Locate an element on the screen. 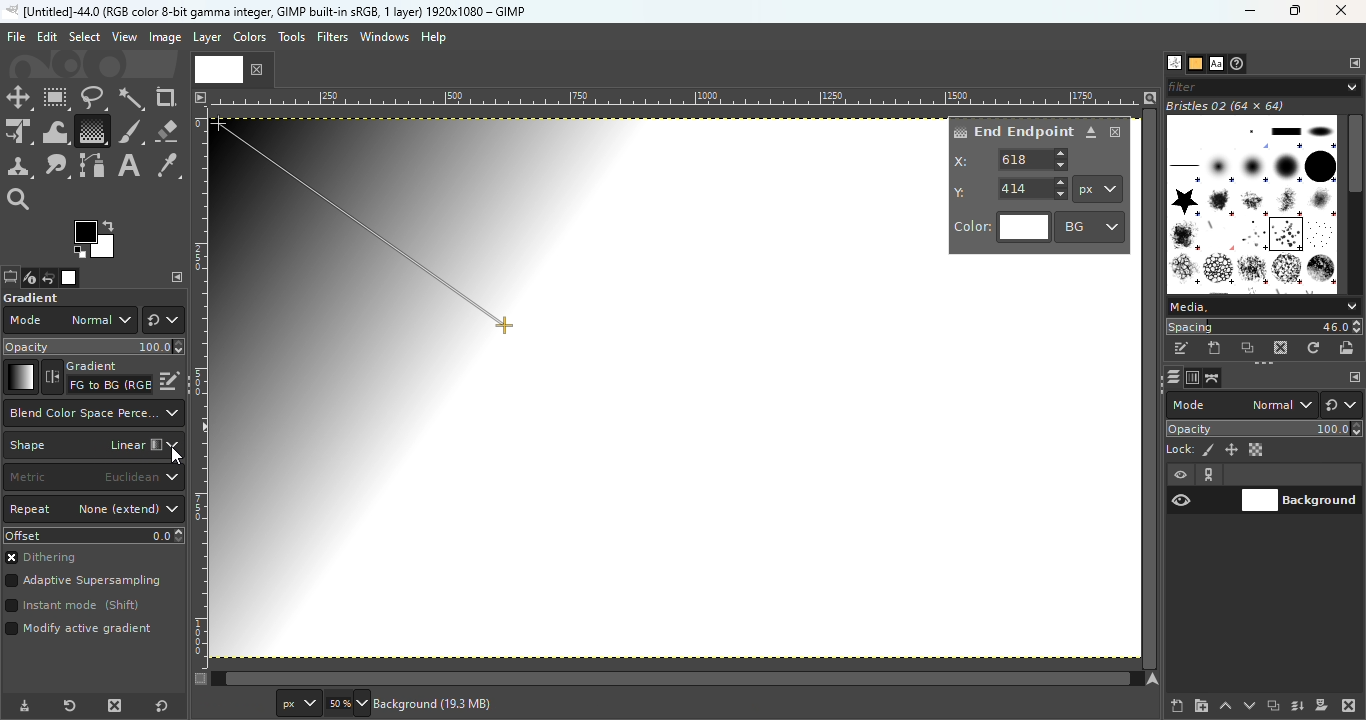  Instant mode is located at coordinates (71, 607).